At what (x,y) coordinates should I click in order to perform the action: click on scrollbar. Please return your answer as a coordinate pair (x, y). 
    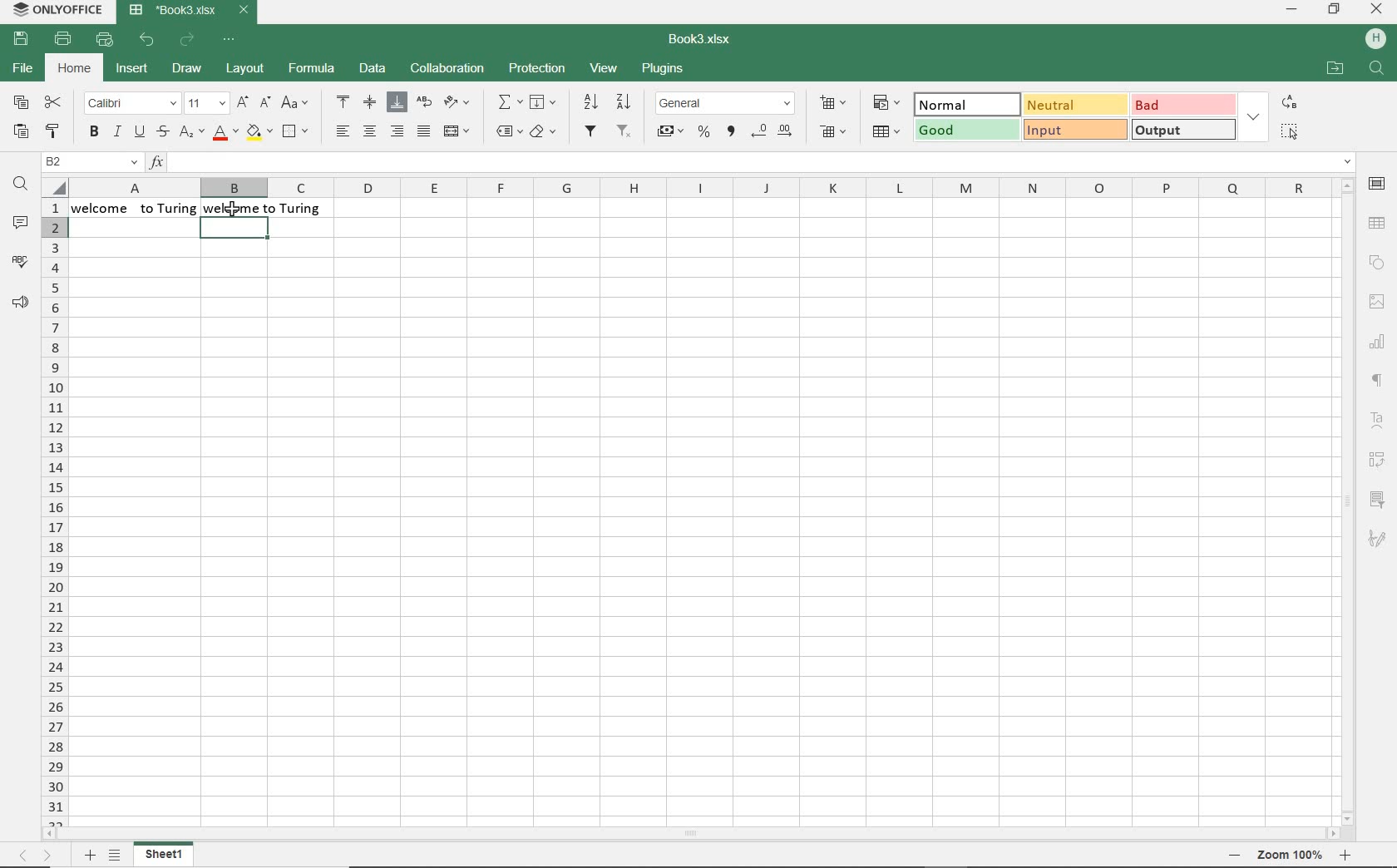
    Looking at the image, I should click on (1346, 501).